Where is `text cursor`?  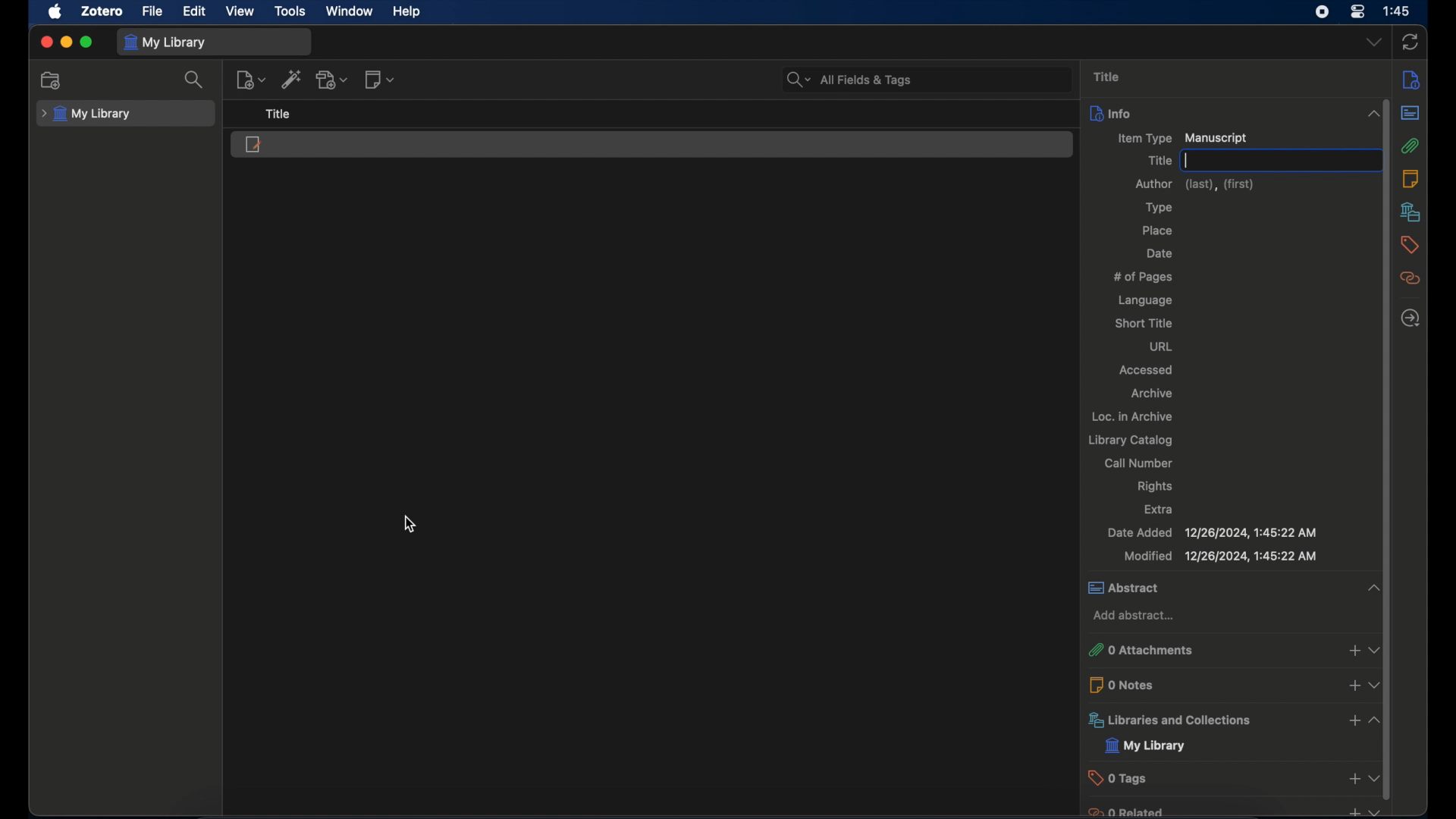
text cursor is located at coordinates (1187, 160).